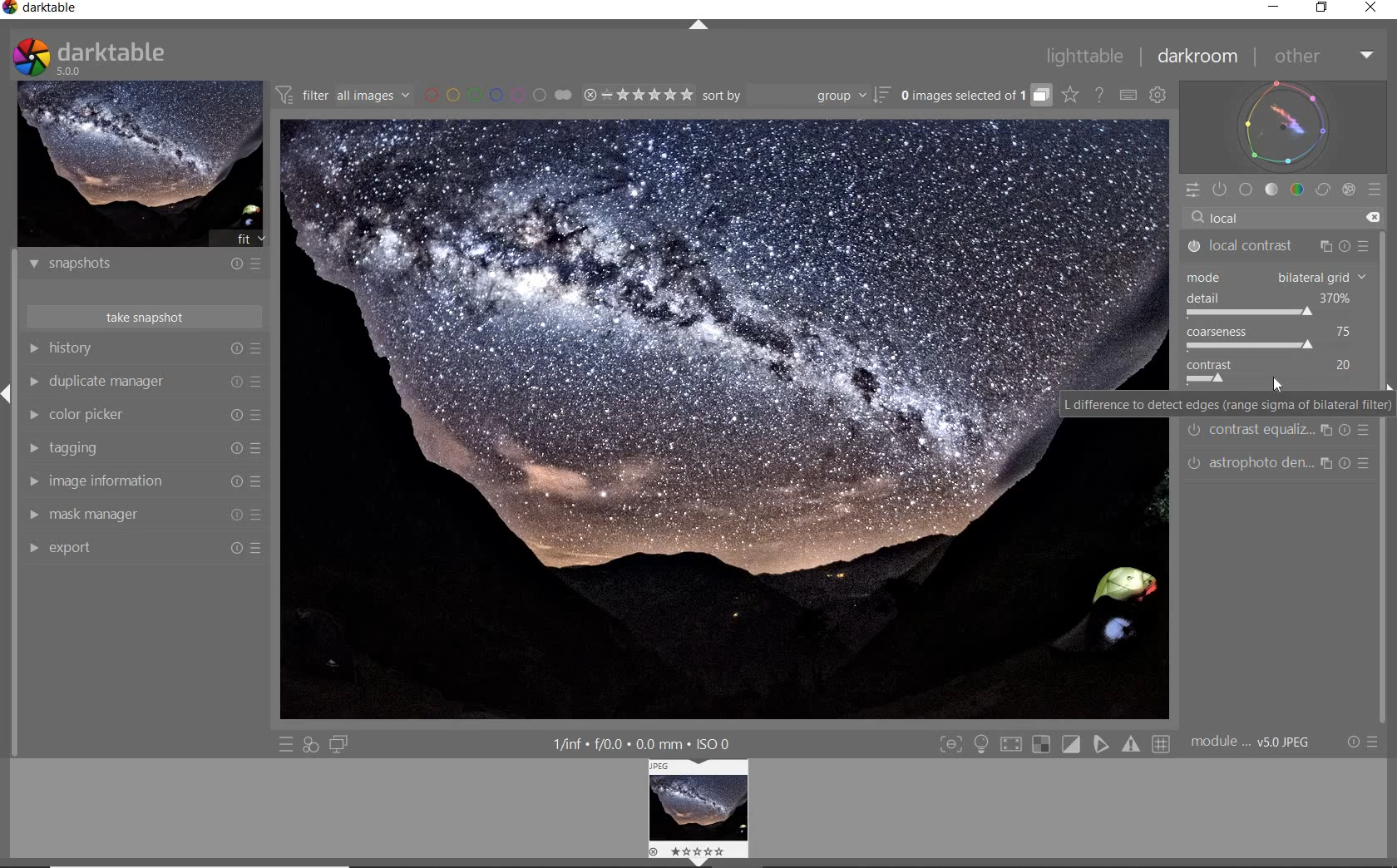 The width and height of the screenshot is (1397, 868). What do you see at coordinates (706, 862) in the screenshot?
I see `hide bottom menu • ctrl+shift+b` at bounding box center [706, 862].